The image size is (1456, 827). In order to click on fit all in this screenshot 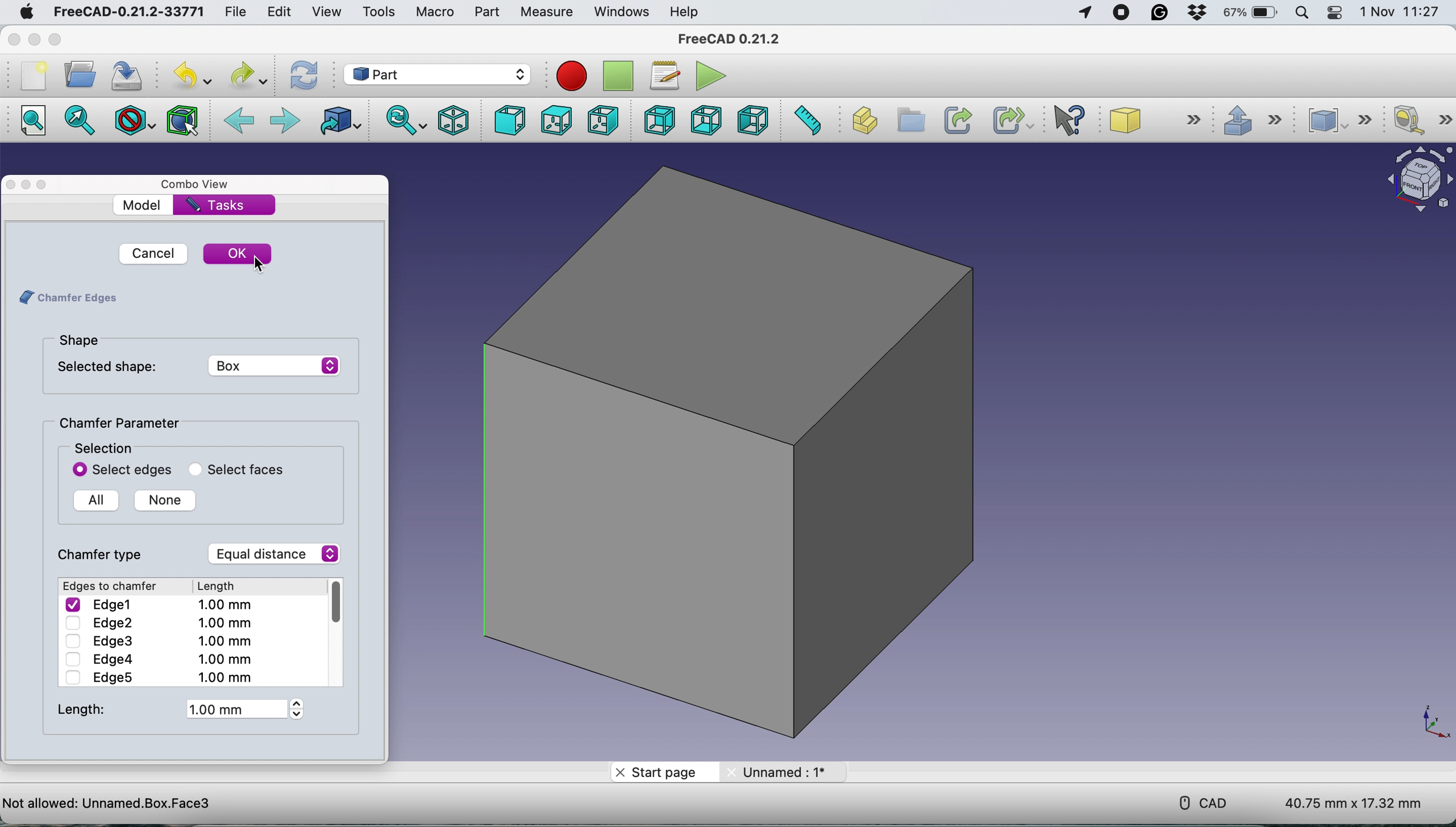, I will do `click(36, 120)`.